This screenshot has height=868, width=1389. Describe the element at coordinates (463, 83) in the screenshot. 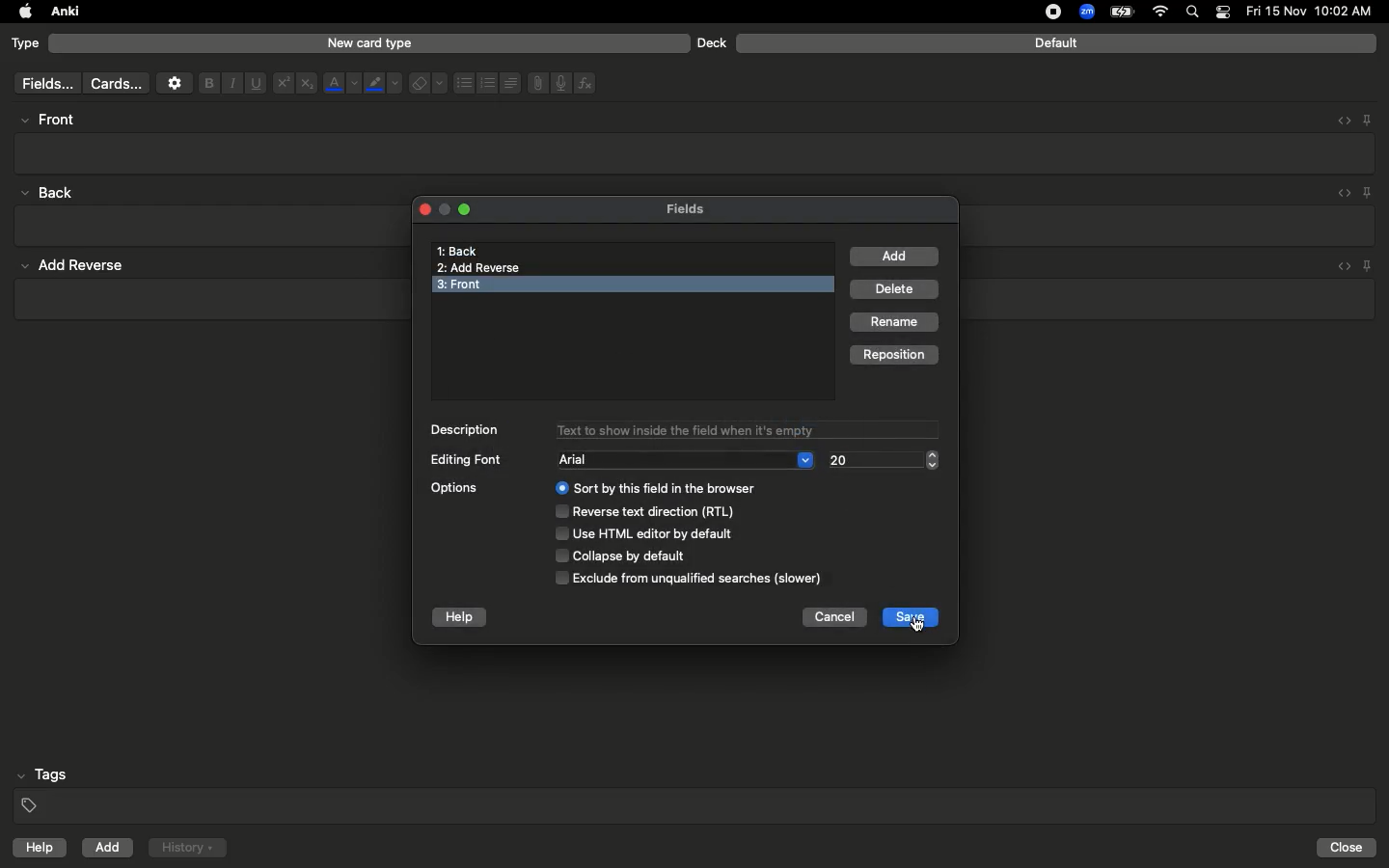

I see `Bullet` at that location.